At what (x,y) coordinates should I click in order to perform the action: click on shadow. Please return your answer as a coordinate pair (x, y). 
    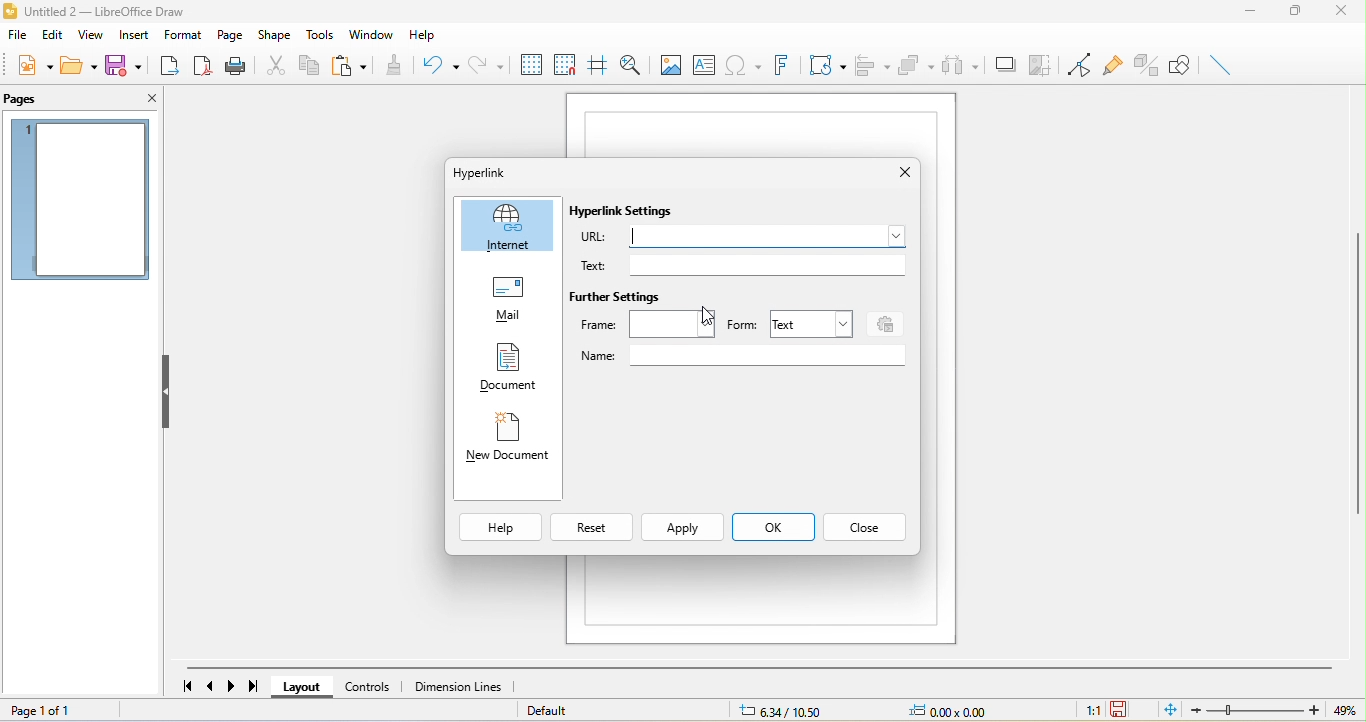
    Looking at the image, I should click on (1003, 63).